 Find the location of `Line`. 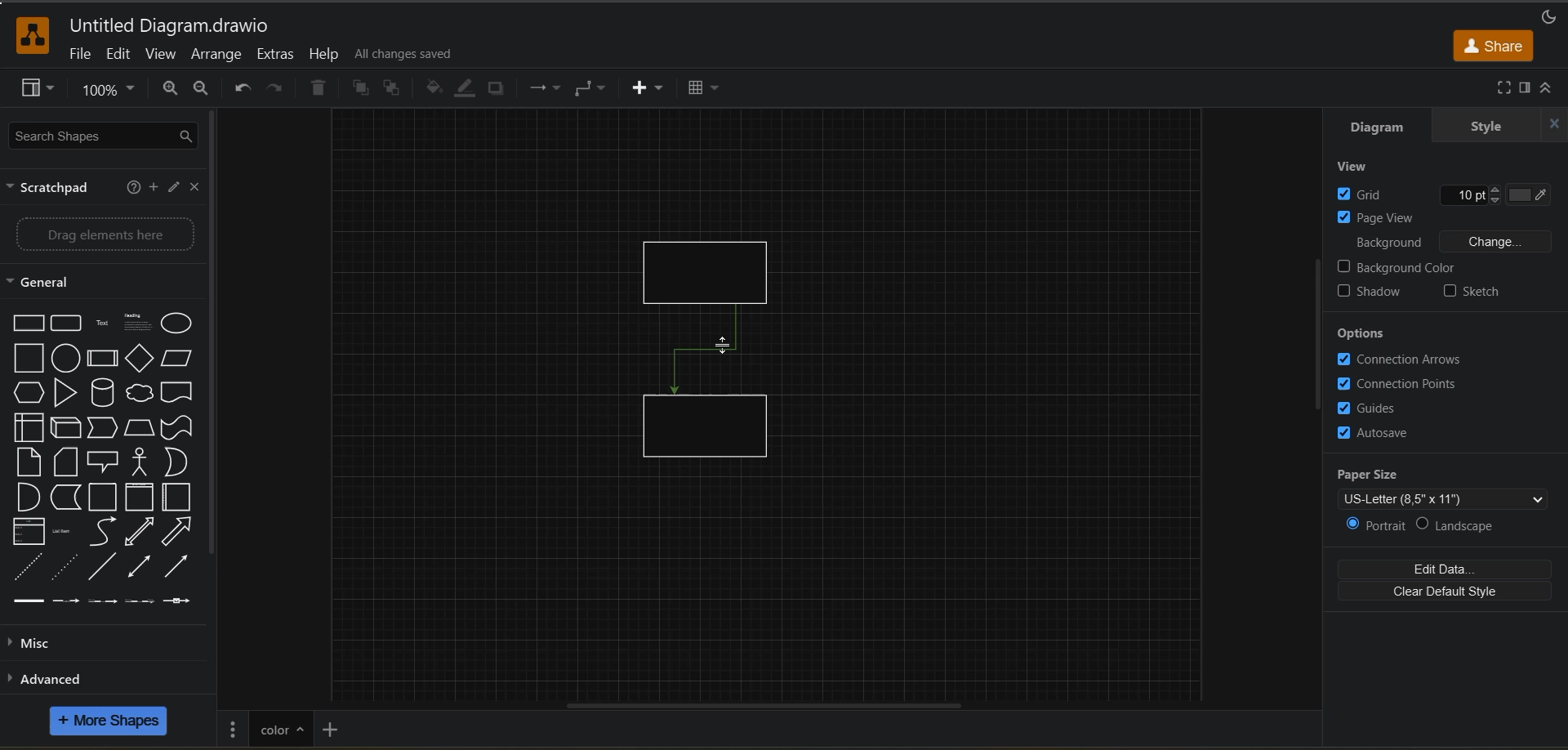

Line is located at coordinates (101, 567).